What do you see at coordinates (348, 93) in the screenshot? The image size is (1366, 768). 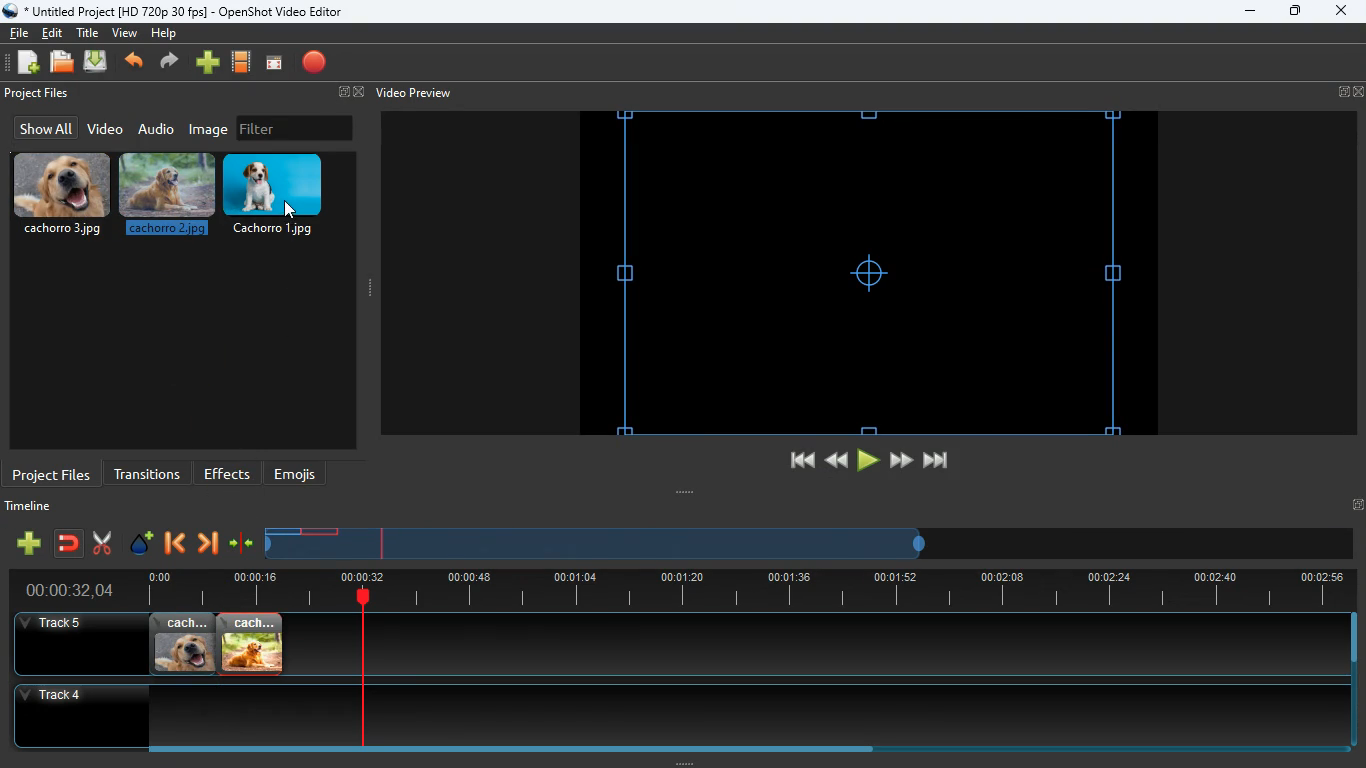 I see `fullscreen` at bounding box center [348, 93].